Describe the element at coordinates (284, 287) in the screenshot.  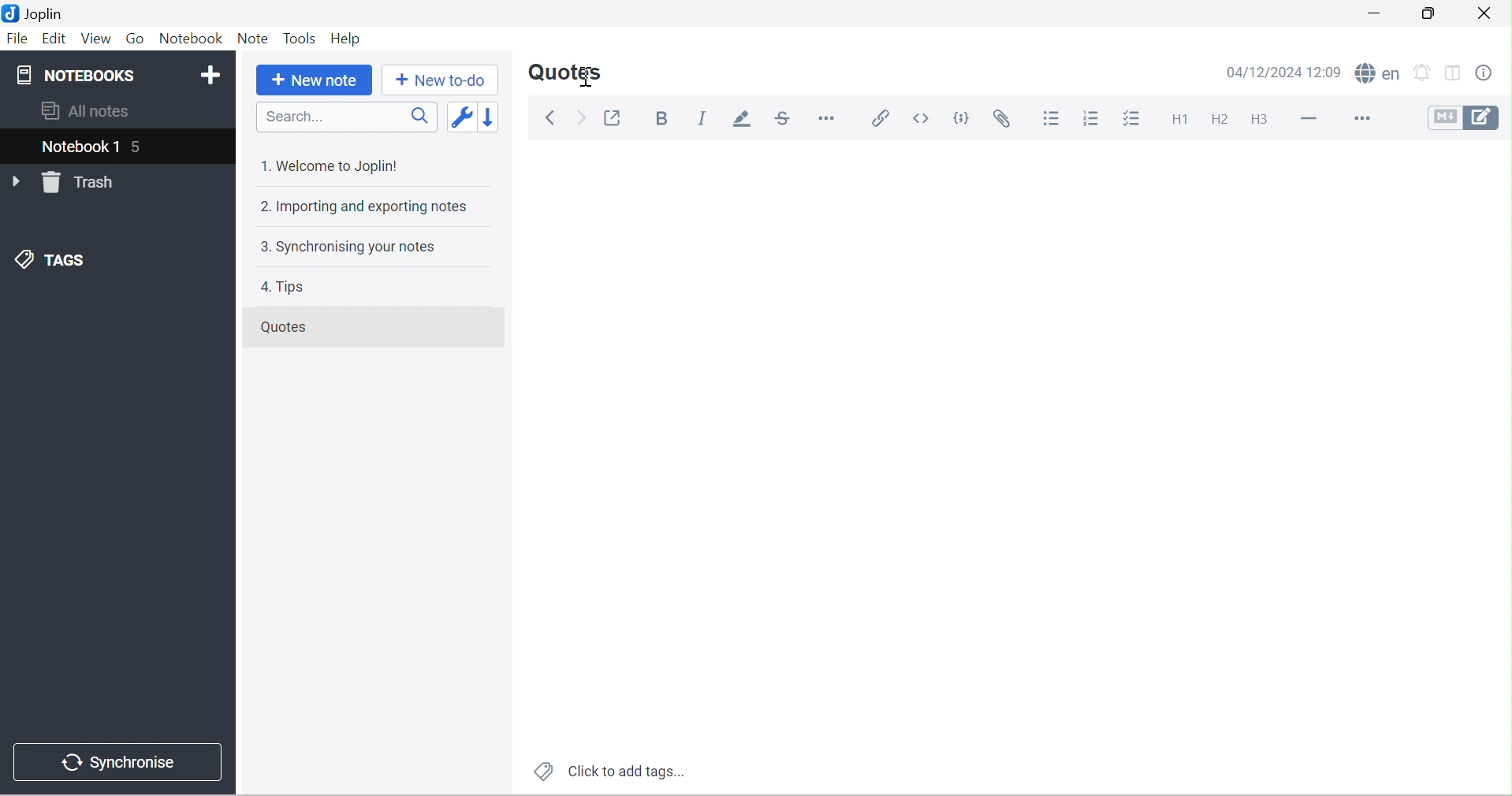
I see `4. Tips` at that location.